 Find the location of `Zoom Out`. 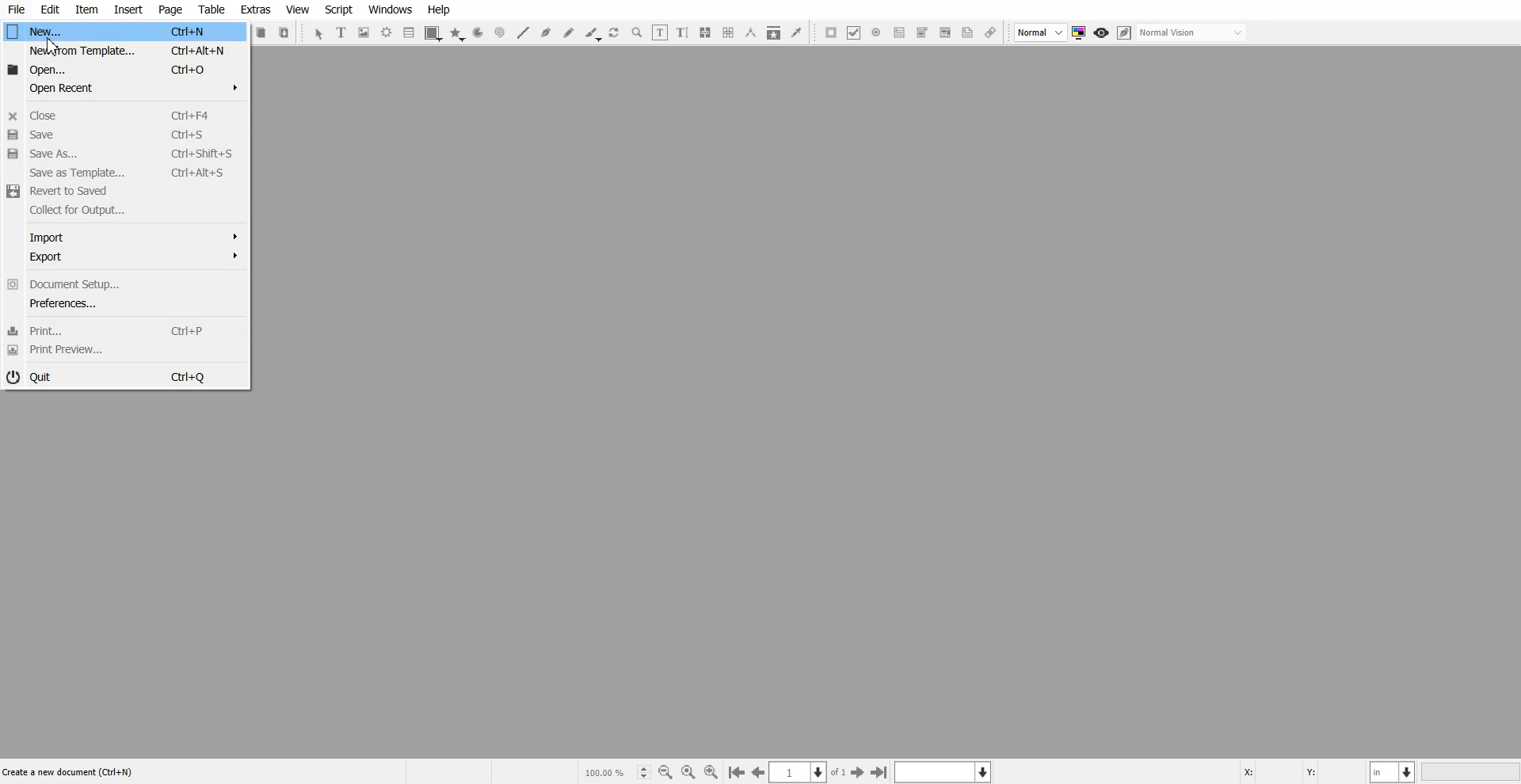

Zoom Out is located at coordinates (665, 772).